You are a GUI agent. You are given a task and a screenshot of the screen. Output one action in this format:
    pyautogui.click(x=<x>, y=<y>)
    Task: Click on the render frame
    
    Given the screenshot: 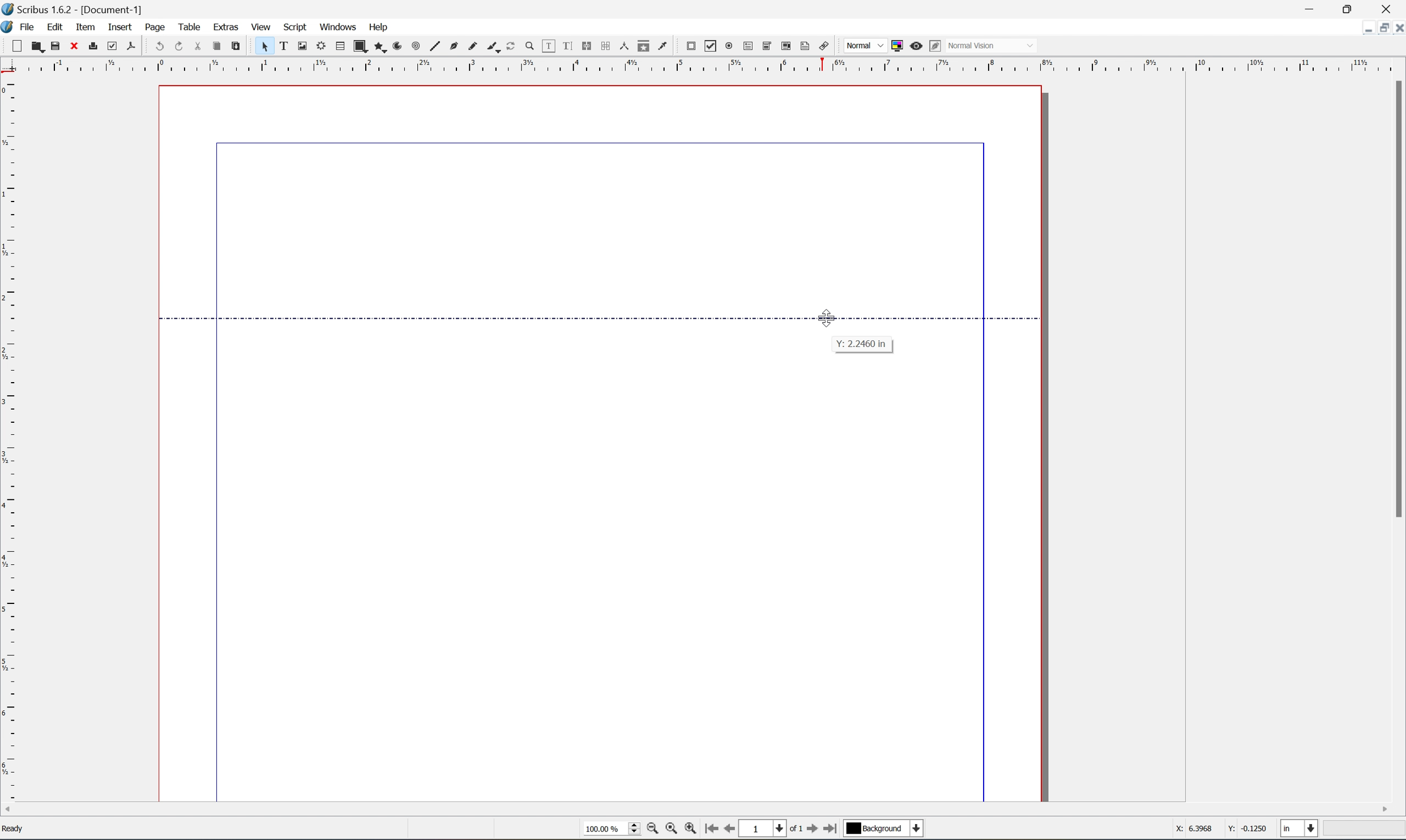 What is the action you would take?
    pyautogui.click(x=322, y=46)
    